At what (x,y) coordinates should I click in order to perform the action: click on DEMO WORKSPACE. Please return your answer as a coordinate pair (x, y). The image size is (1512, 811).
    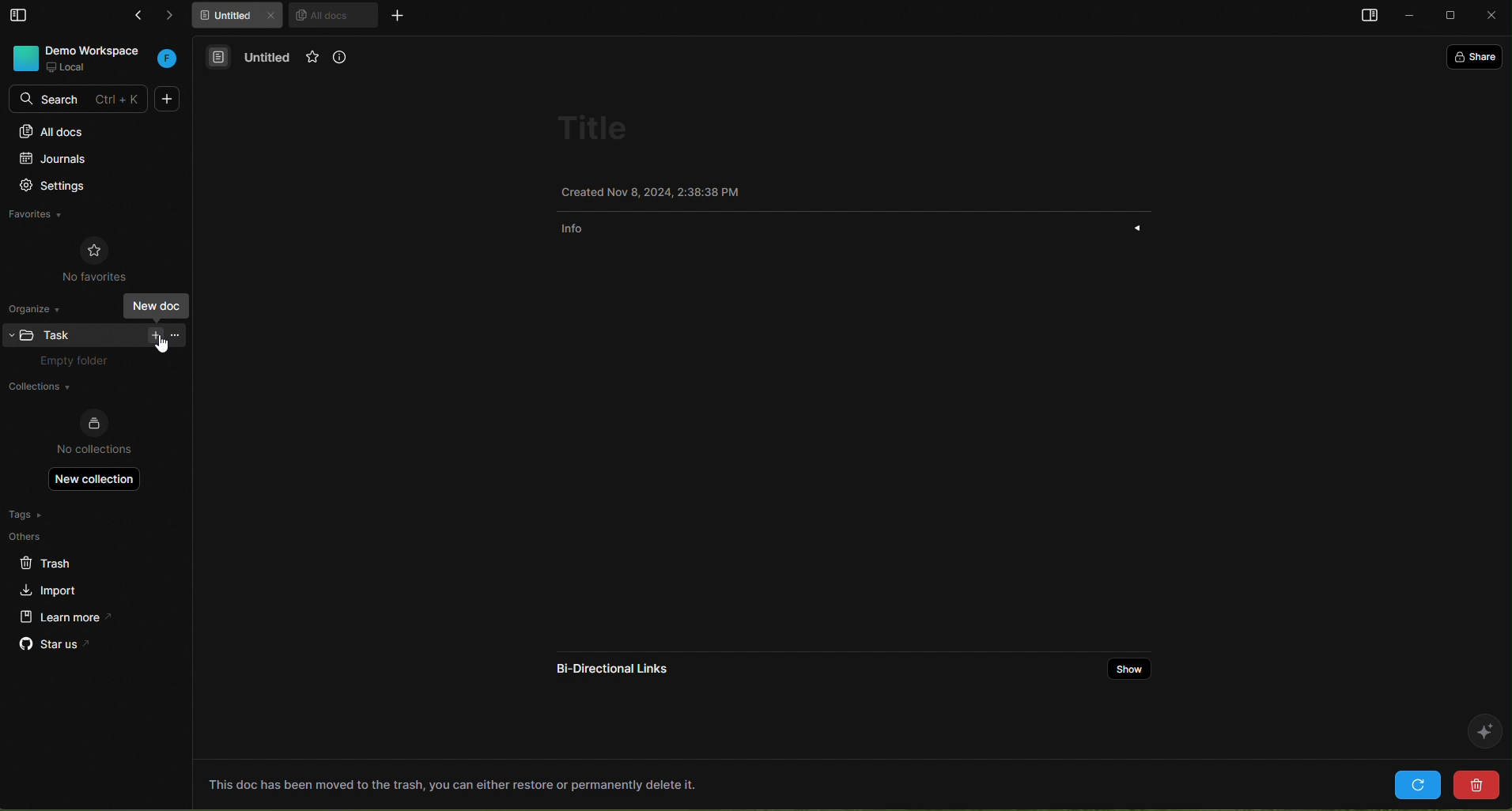
    Looking at the image, I should click on (97, 50).